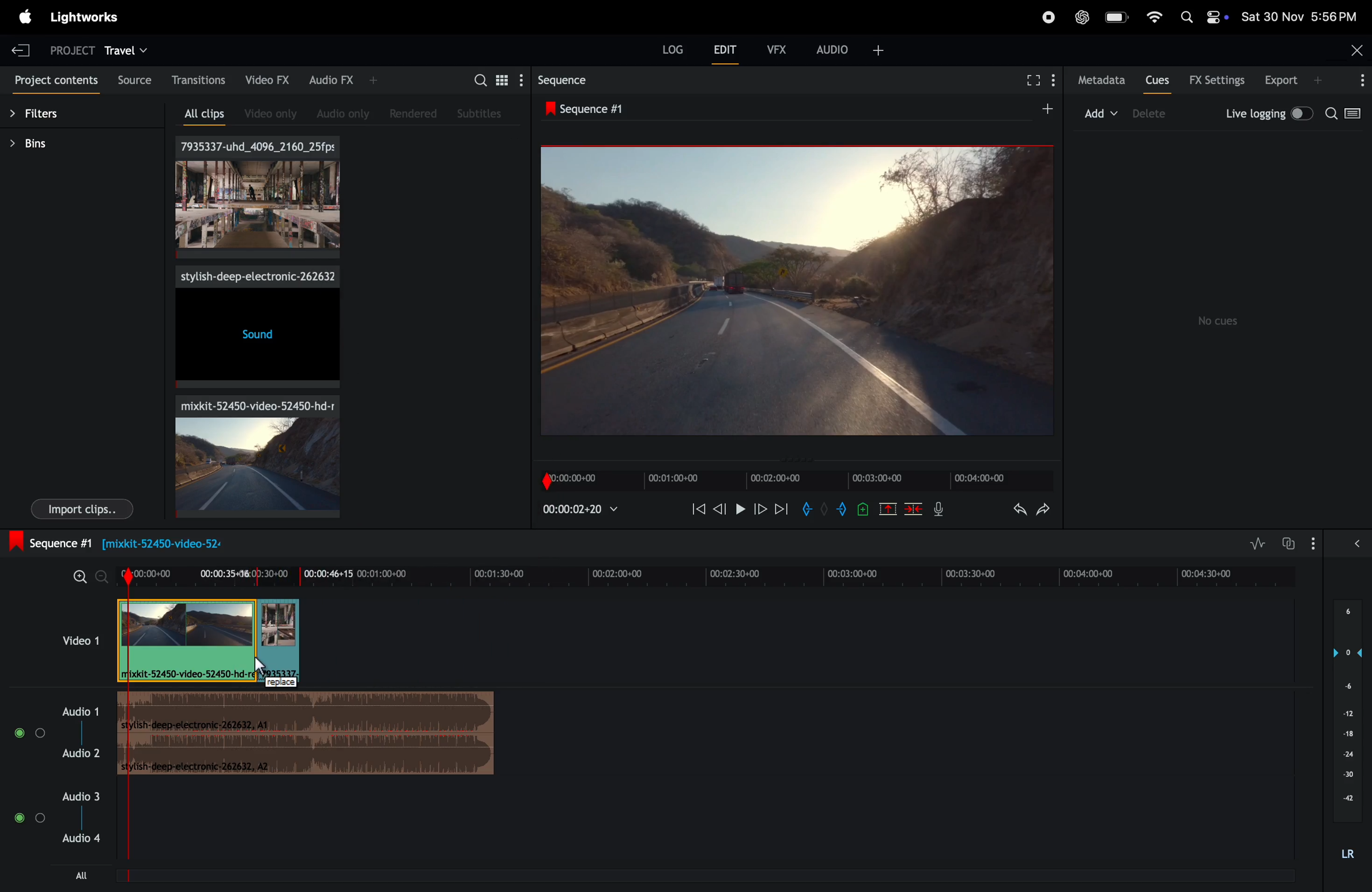  Describe the element at coordinates (775, 48) in the screenshot. I see `vfx` at that location.